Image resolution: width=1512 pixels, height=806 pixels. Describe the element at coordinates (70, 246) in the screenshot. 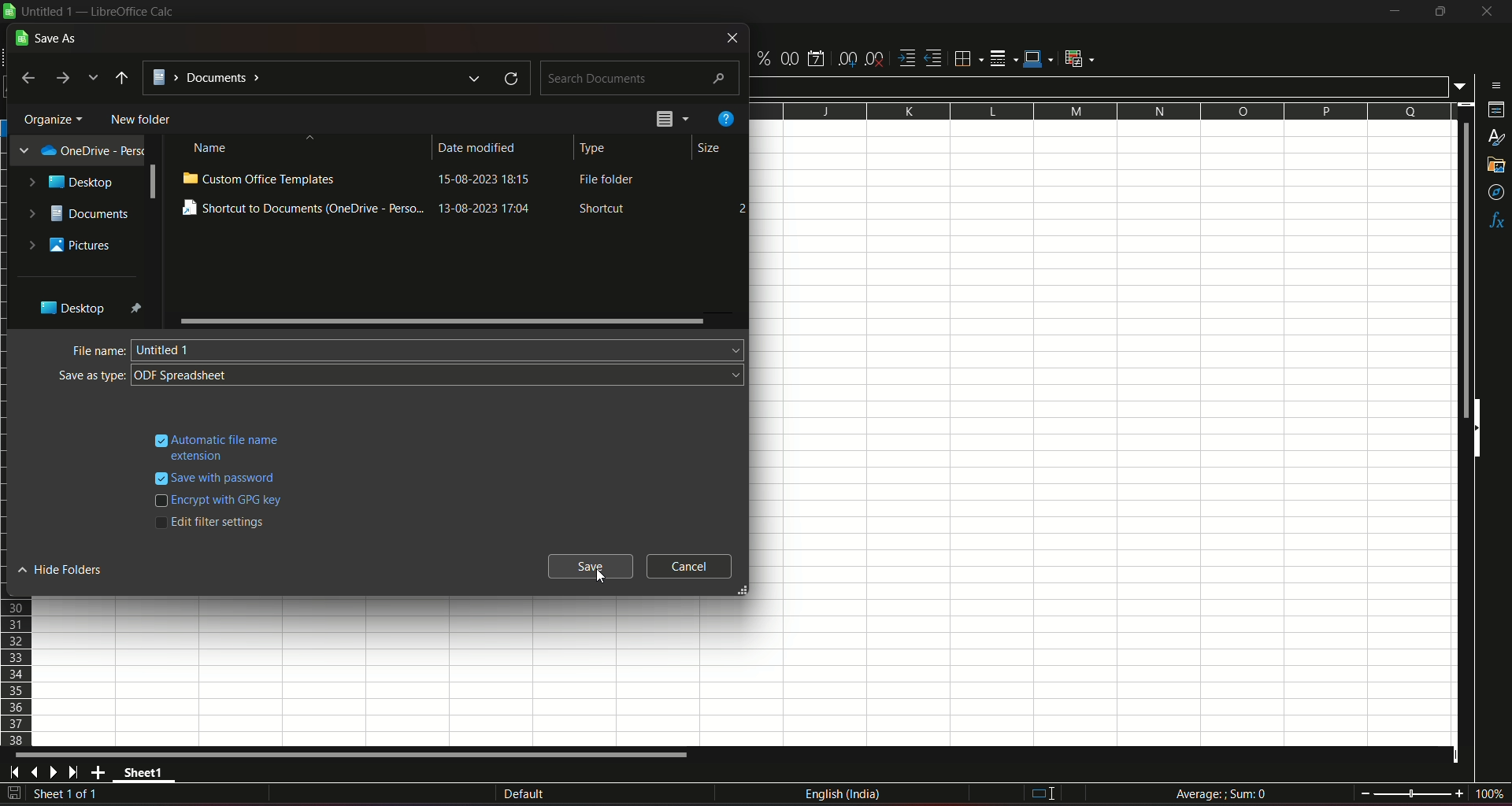

I see `pictures` at that location.